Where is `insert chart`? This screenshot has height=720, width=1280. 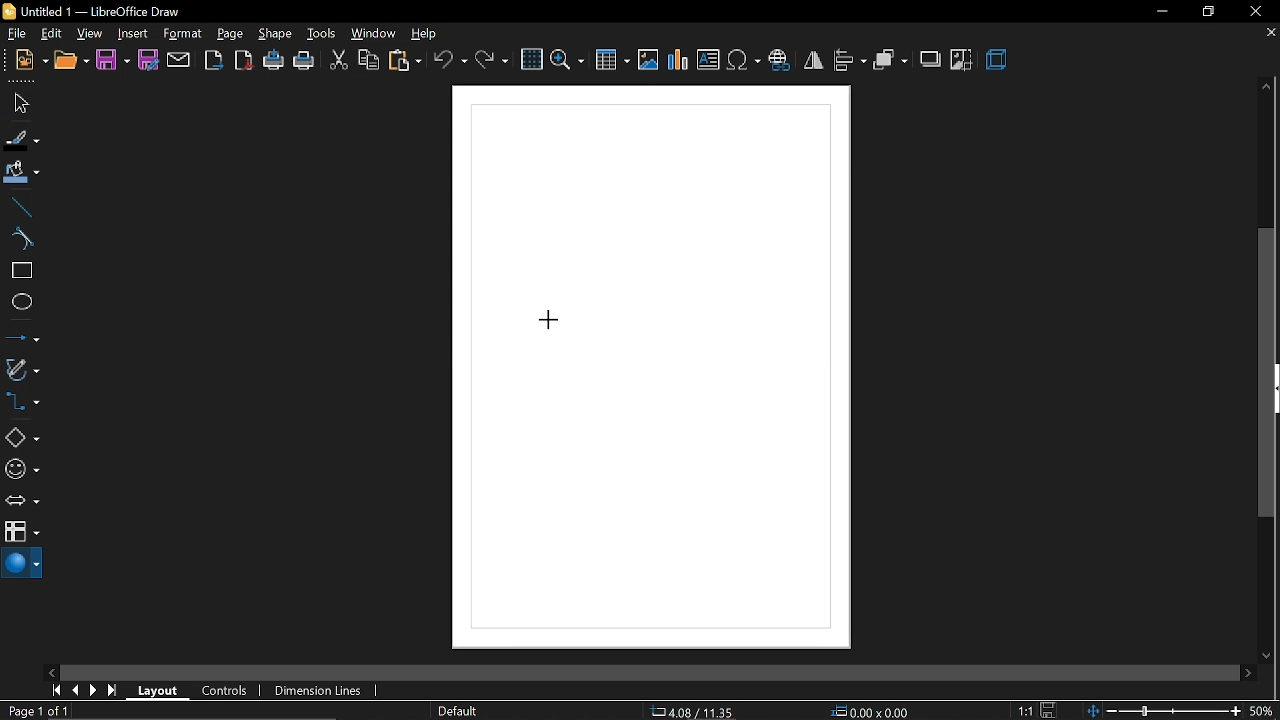 insert chart is located at coordinates (678, 60).